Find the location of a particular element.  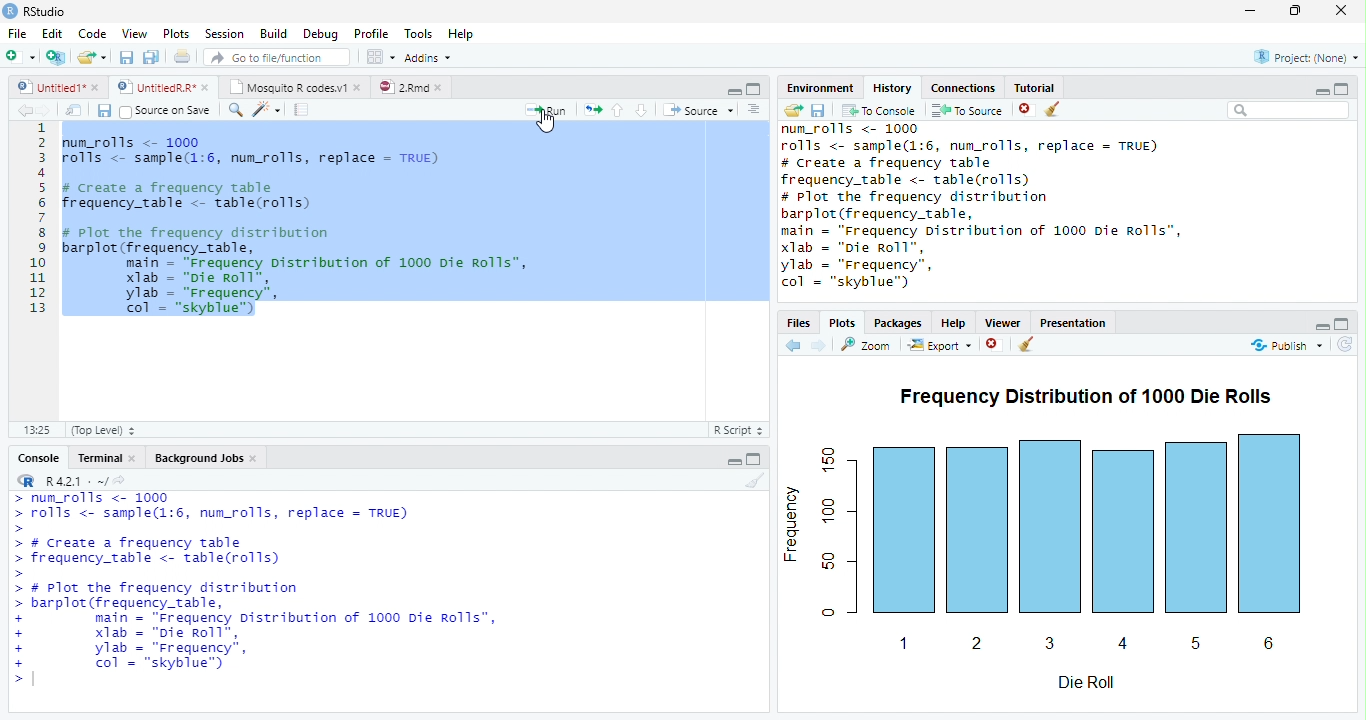

Chart is located at coordinates (1090, 525).